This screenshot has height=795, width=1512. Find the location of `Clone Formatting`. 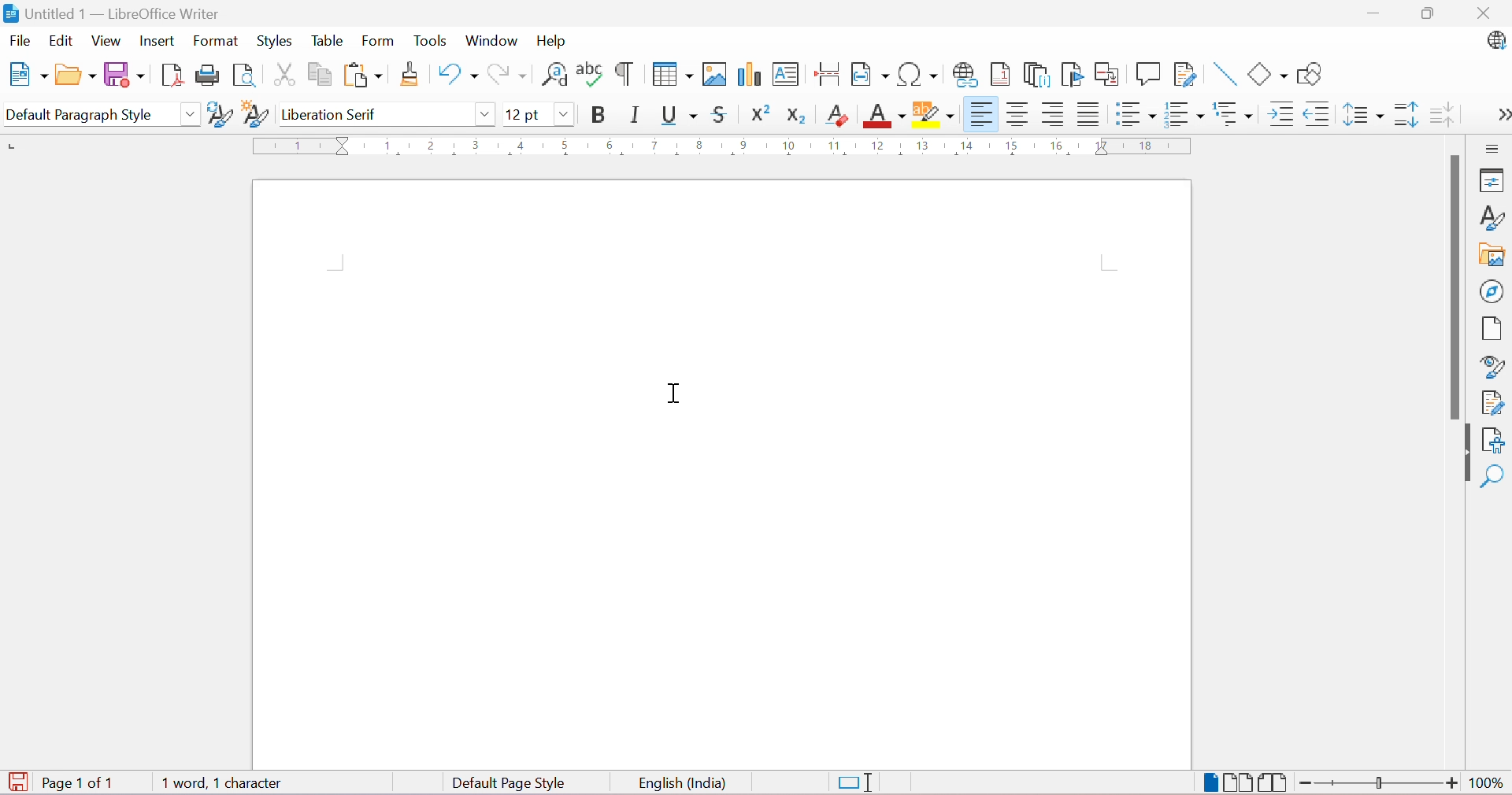

Clone Formatting is located at coordinates (409, 75).